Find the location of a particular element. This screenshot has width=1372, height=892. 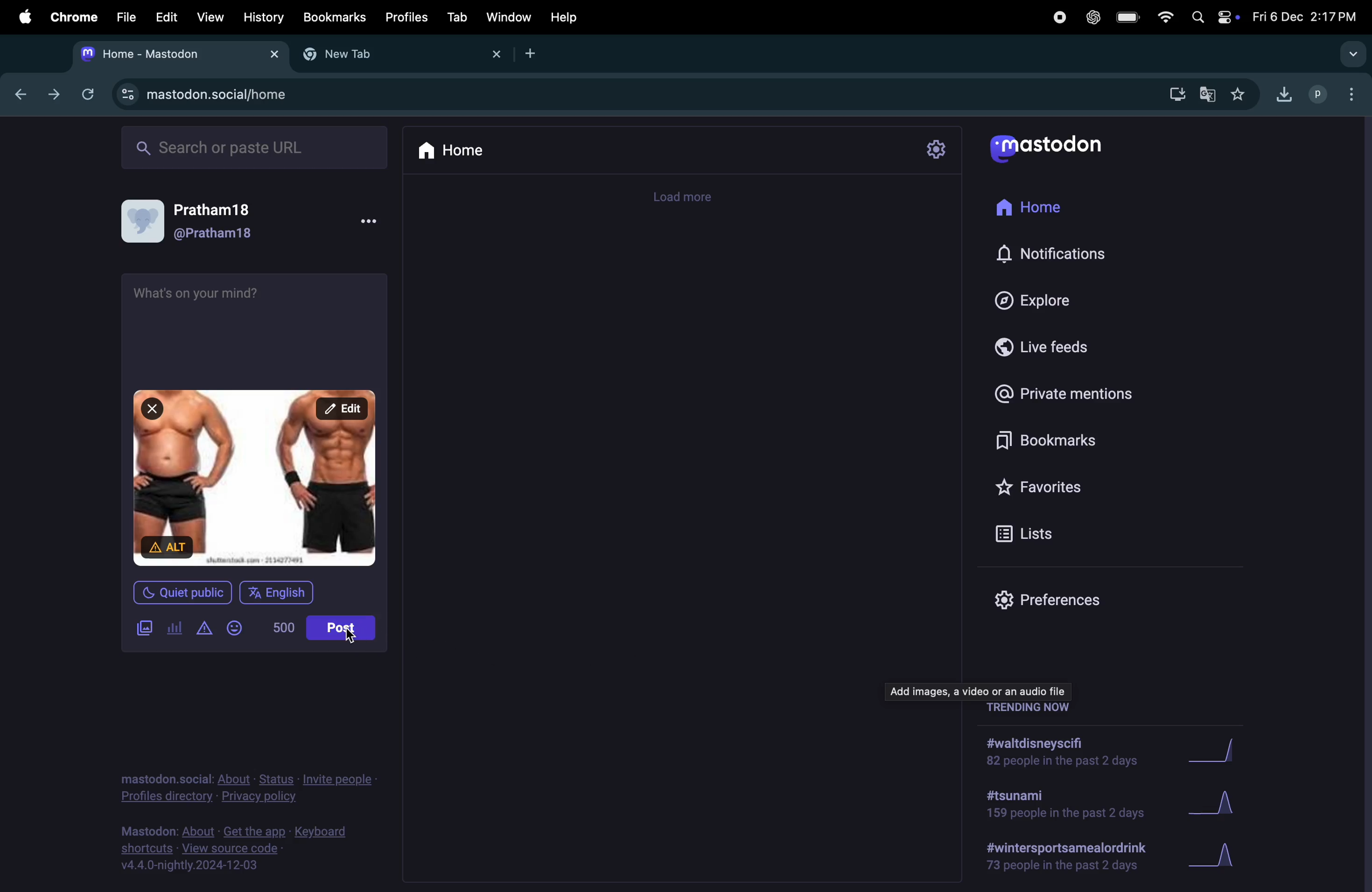

chatgpt is located at coordinates (1095, 18).